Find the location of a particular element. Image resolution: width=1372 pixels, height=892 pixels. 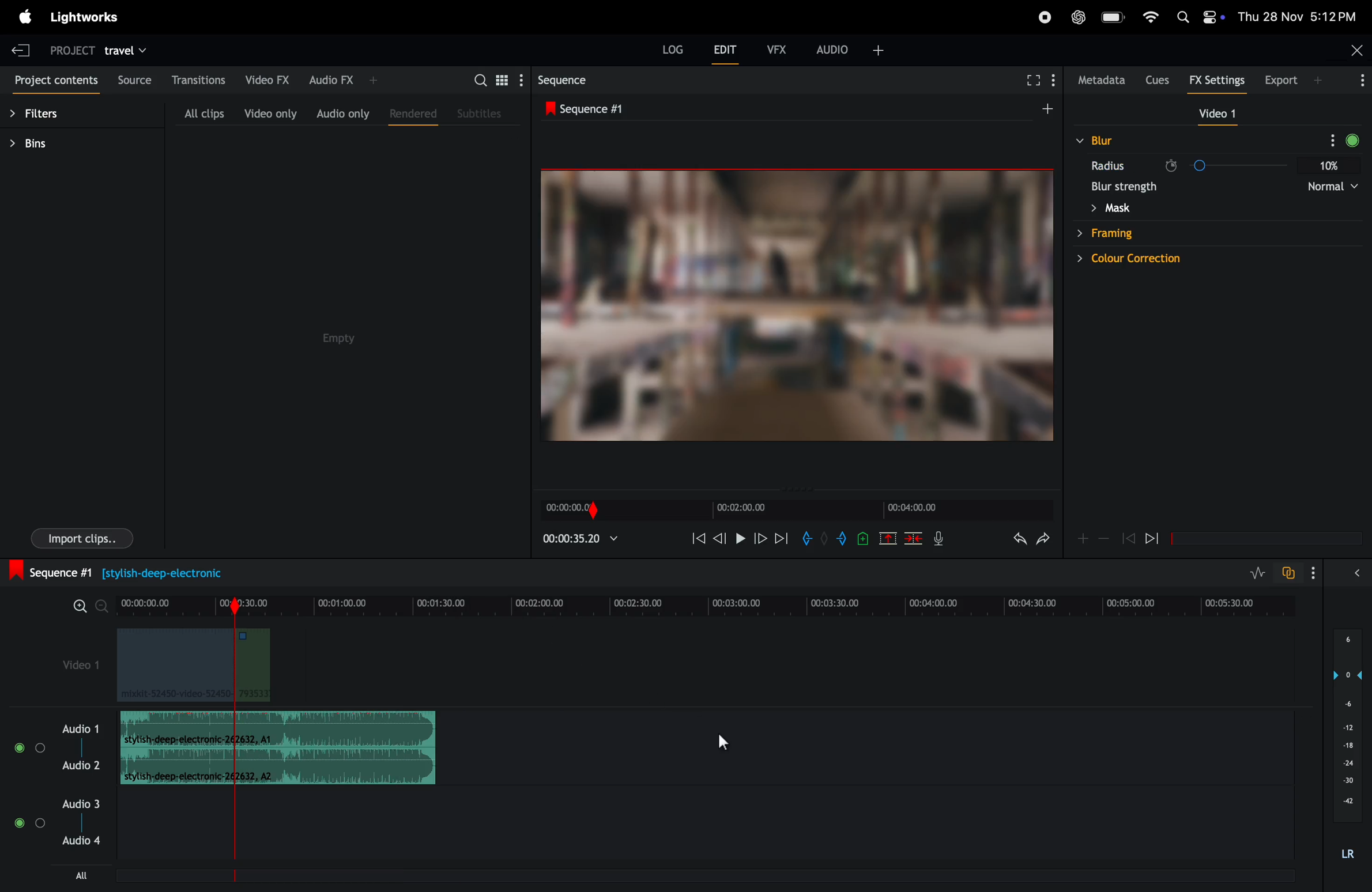

forward is located at coordinates (1158, 538).